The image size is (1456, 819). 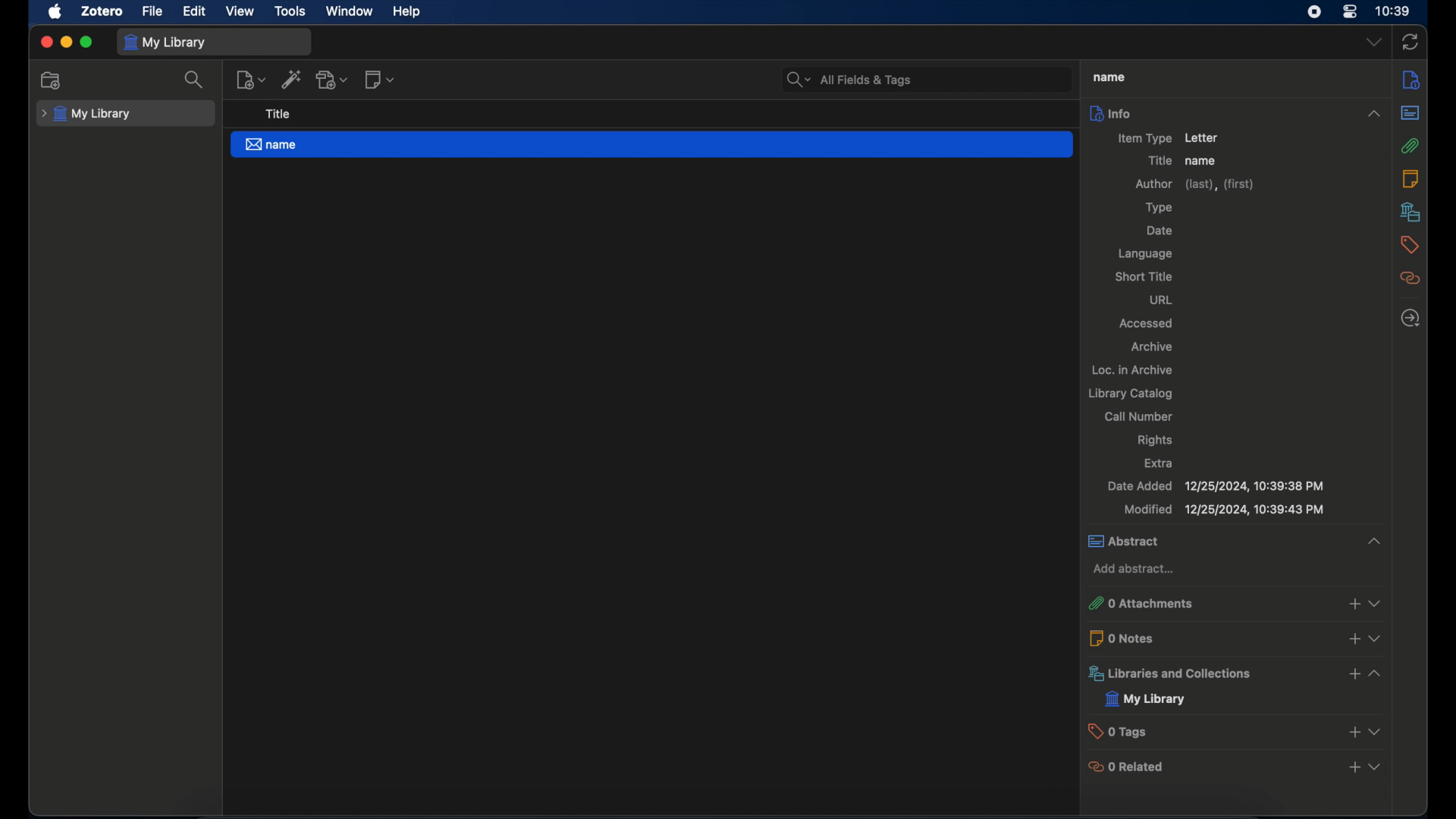 I want to click on add, so click(x=1353, y=731).